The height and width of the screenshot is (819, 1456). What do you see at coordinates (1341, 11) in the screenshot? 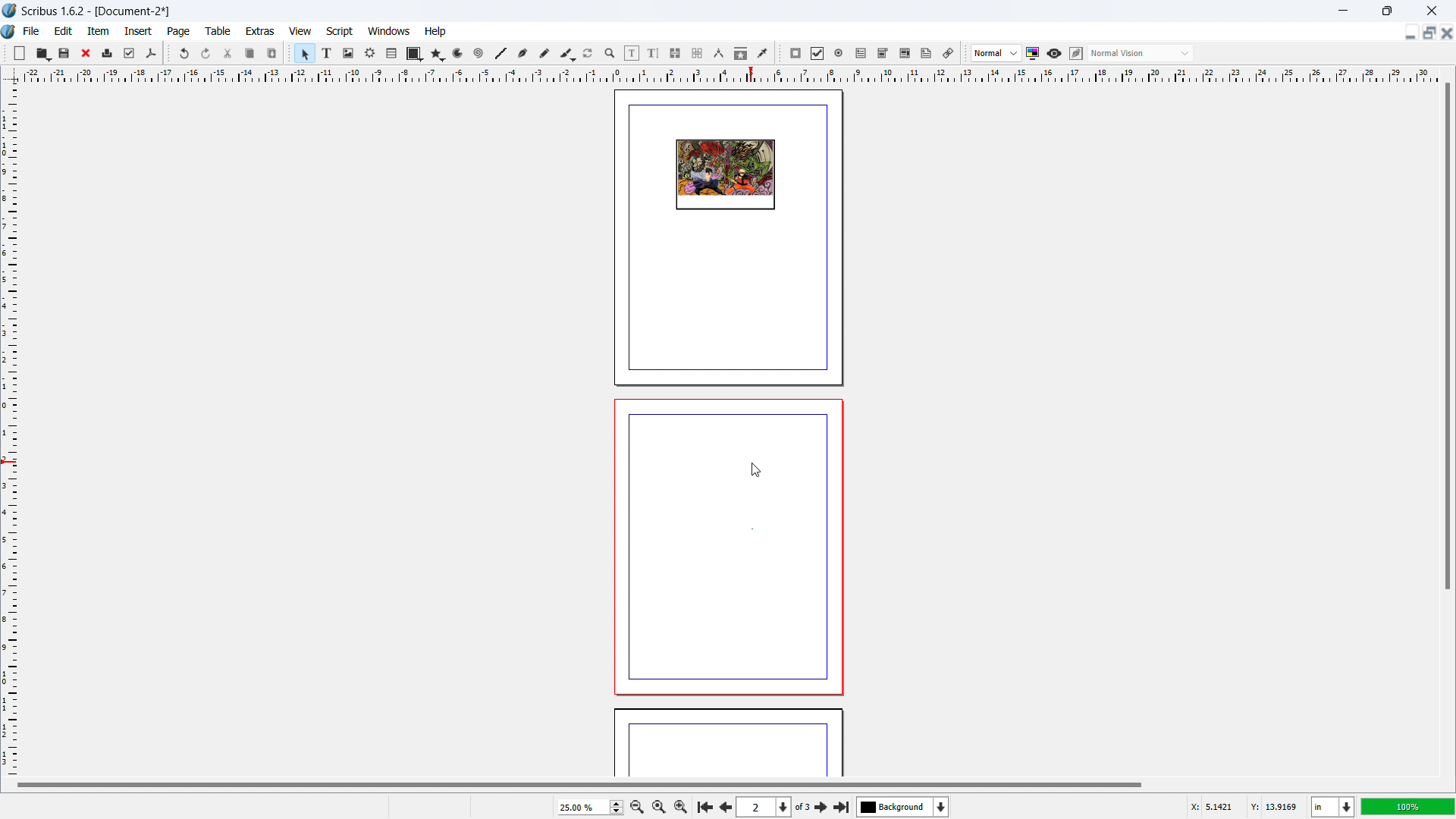
I see `minimize window` at bounding box center [1341, 11].